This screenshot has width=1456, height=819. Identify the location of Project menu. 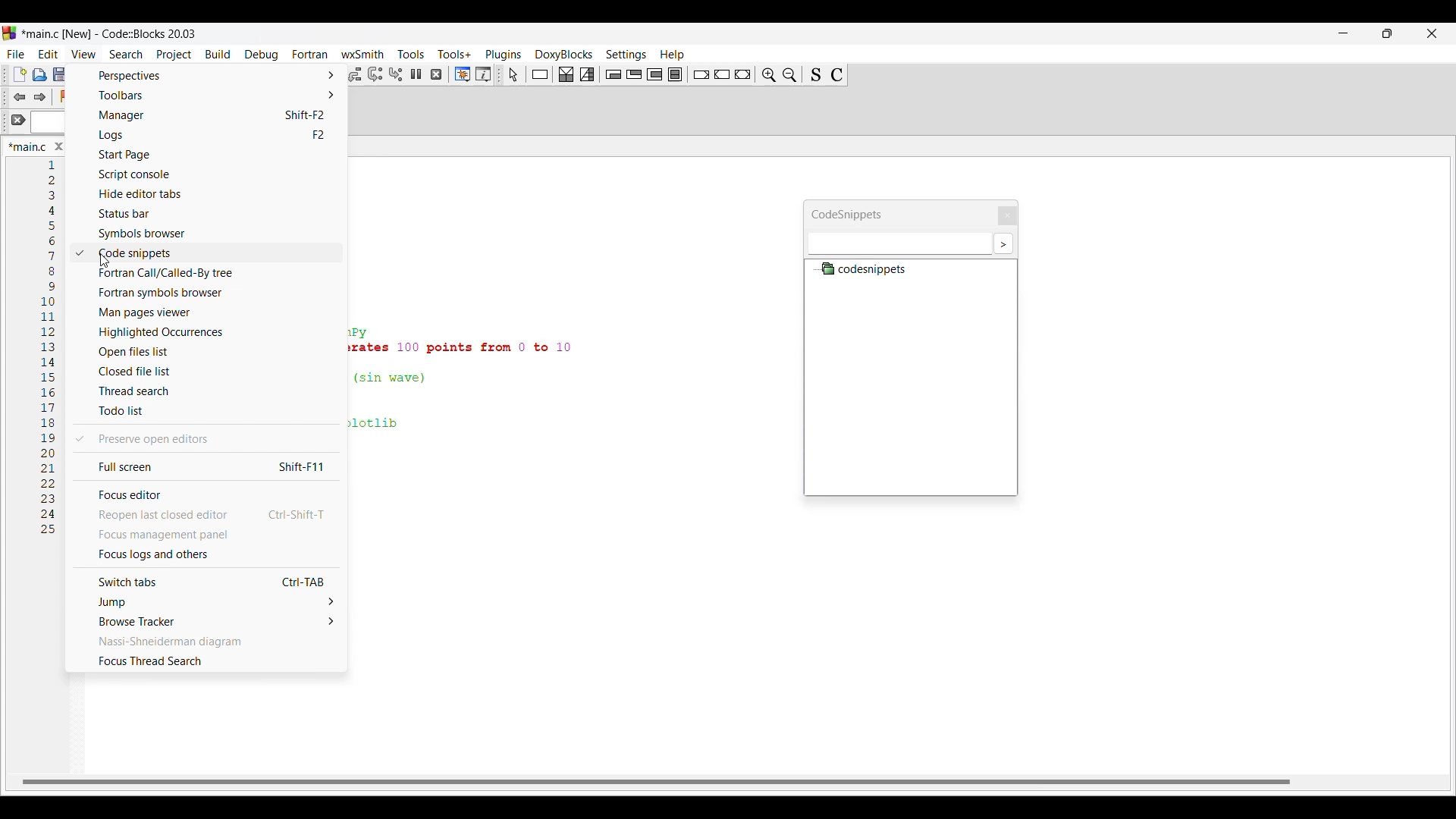
(174, 55).